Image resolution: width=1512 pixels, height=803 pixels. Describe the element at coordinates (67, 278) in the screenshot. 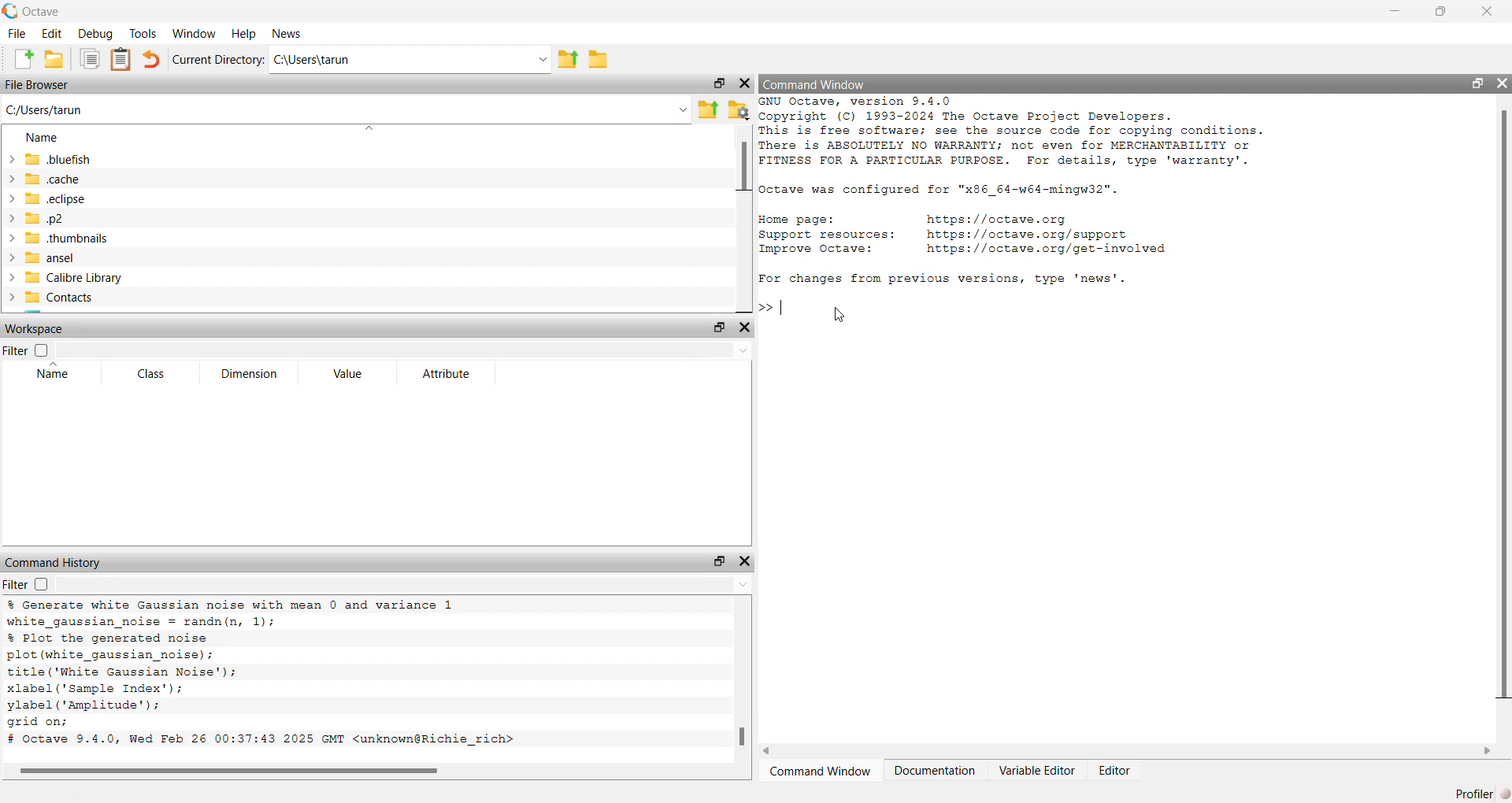

I see ` Calibre Library` at that location.